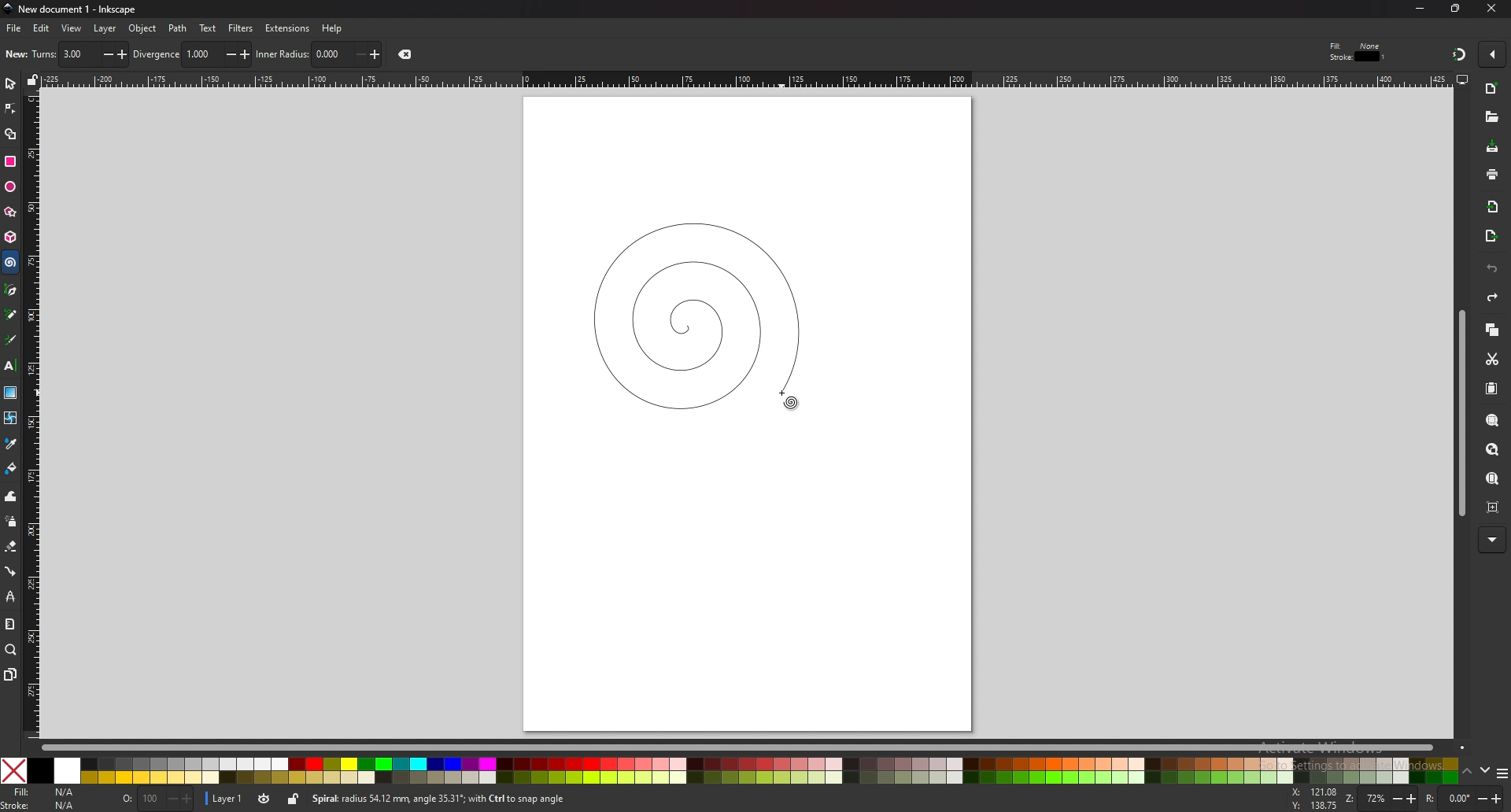 The width and height of the screenshot is (1511, 812). I want to click on save, so click(1492, 146).